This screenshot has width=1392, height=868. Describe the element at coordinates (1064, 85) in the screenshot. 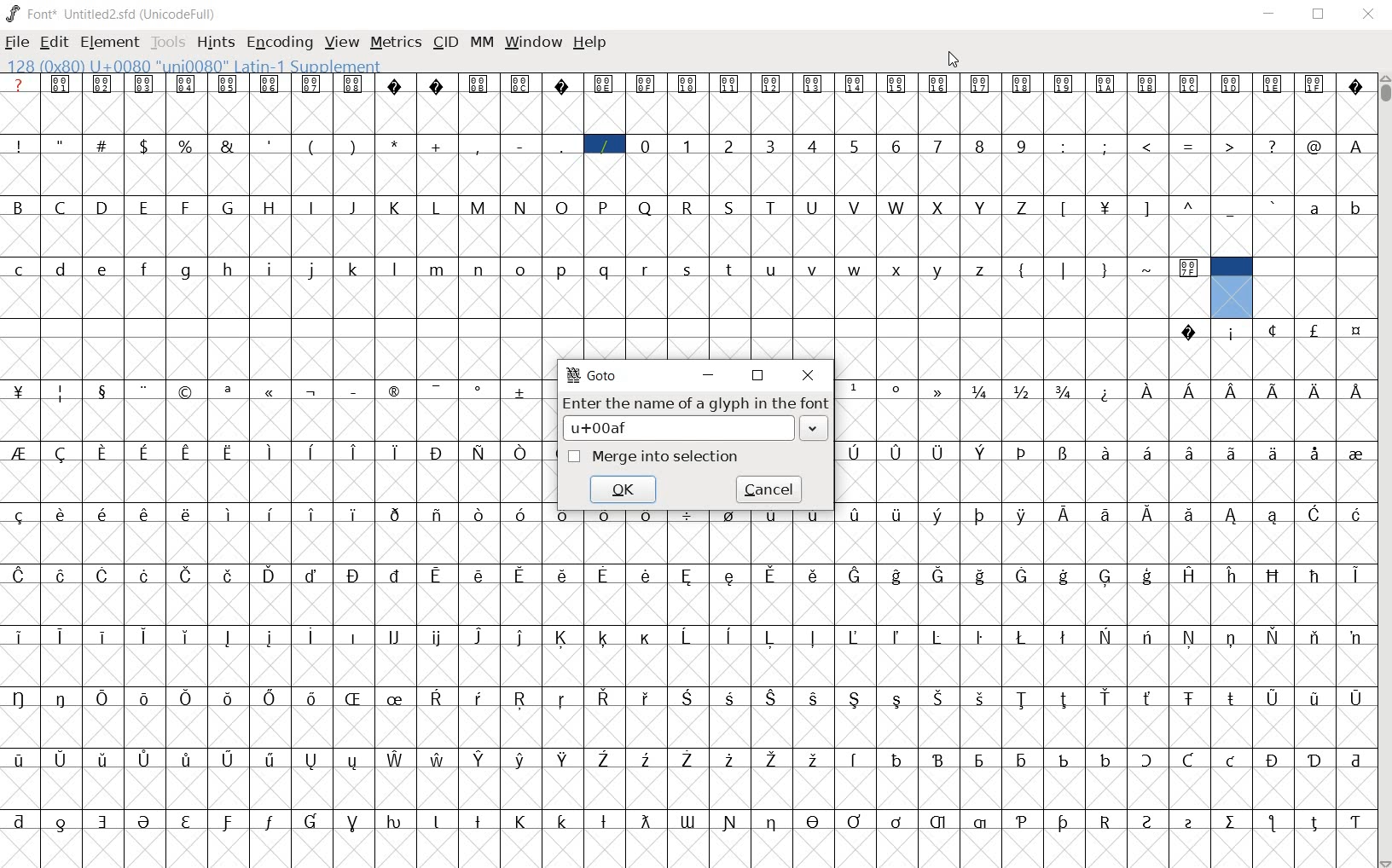

I see `Symbol` at that location.